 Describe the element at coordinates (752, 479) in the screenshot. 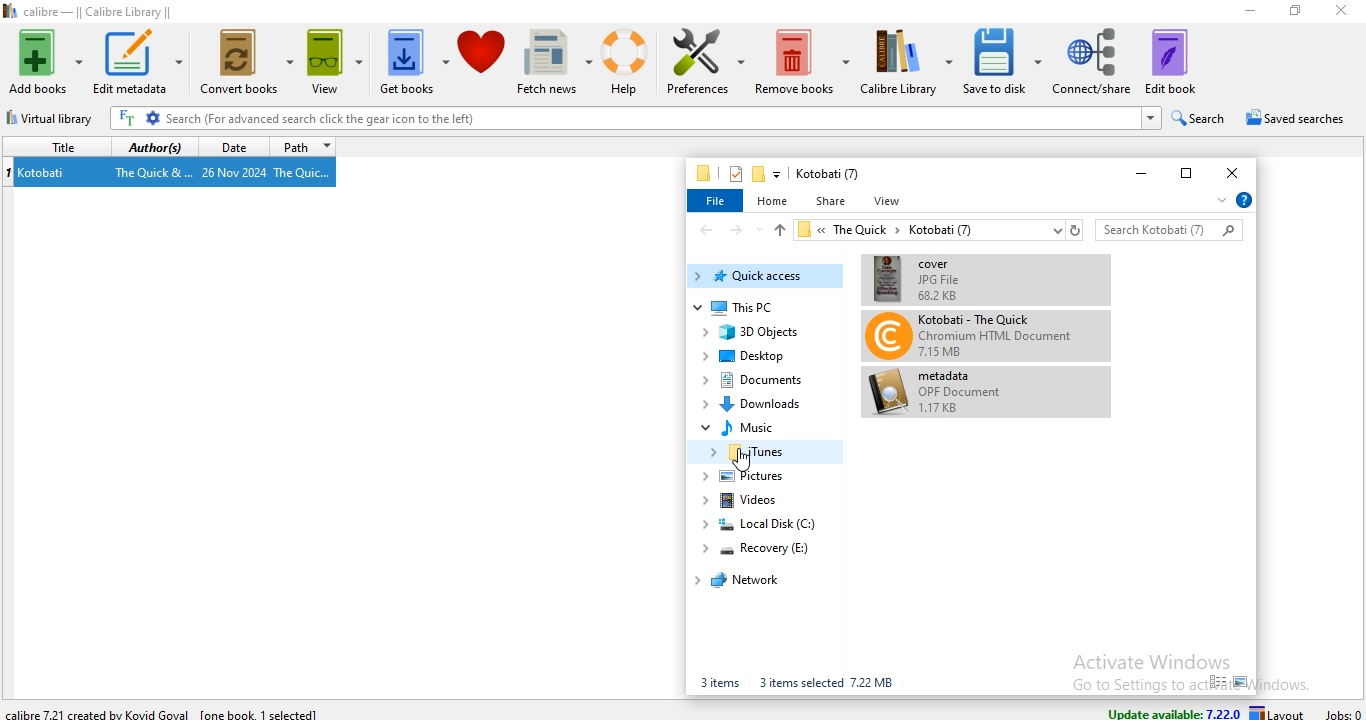

I see `pictures` at that location.